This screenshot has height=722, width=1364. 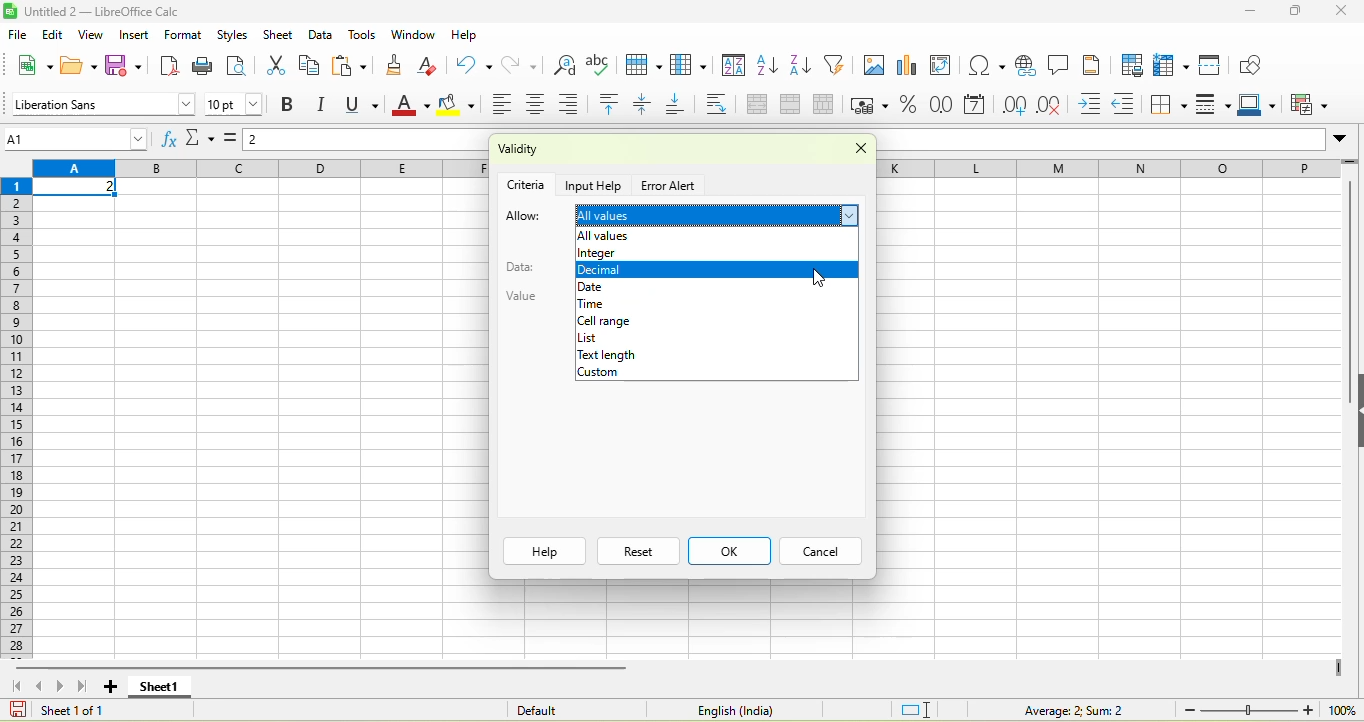 I want to click on row, so click(x=1108, y=168).